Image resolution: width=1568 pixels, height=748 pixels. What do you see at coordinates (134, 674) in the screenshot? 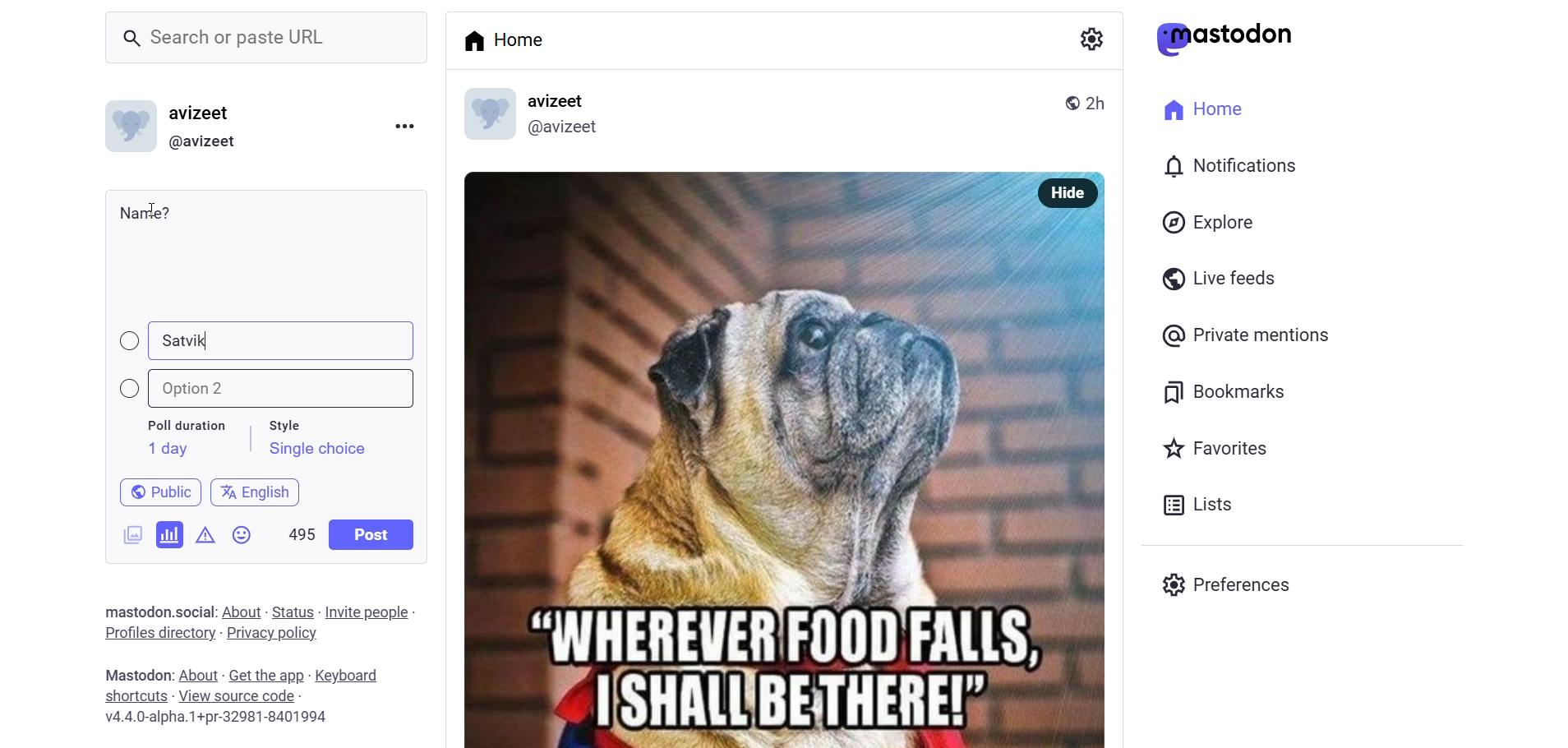
I see `mastodon` at bounding box center [134, 674].